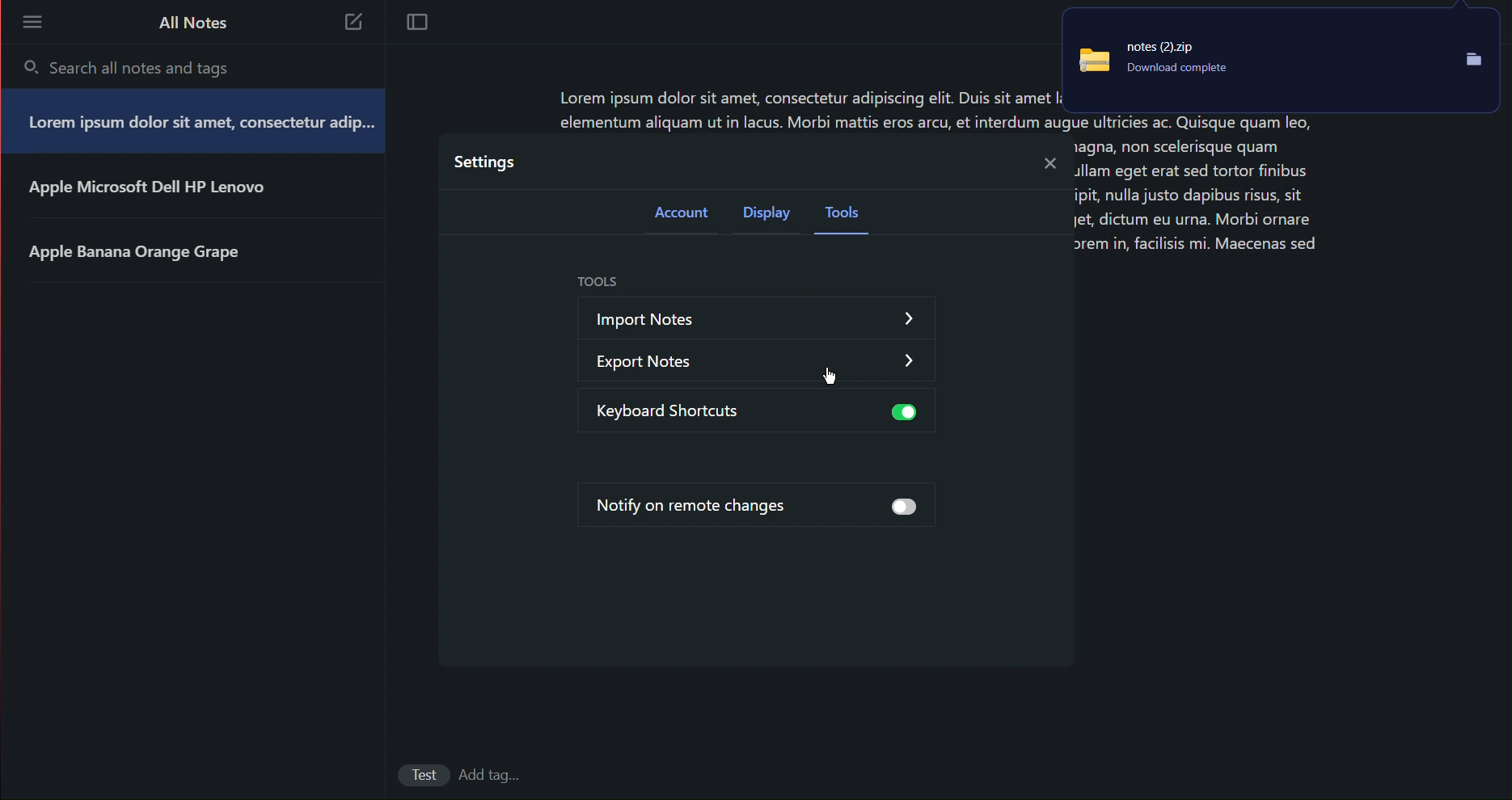 The width and height of the screenshot is (1512, 800). What do you see at coordinates (420, 24) in the screenshot?
I see `Focus Mode` at bounding box center [420, 24].